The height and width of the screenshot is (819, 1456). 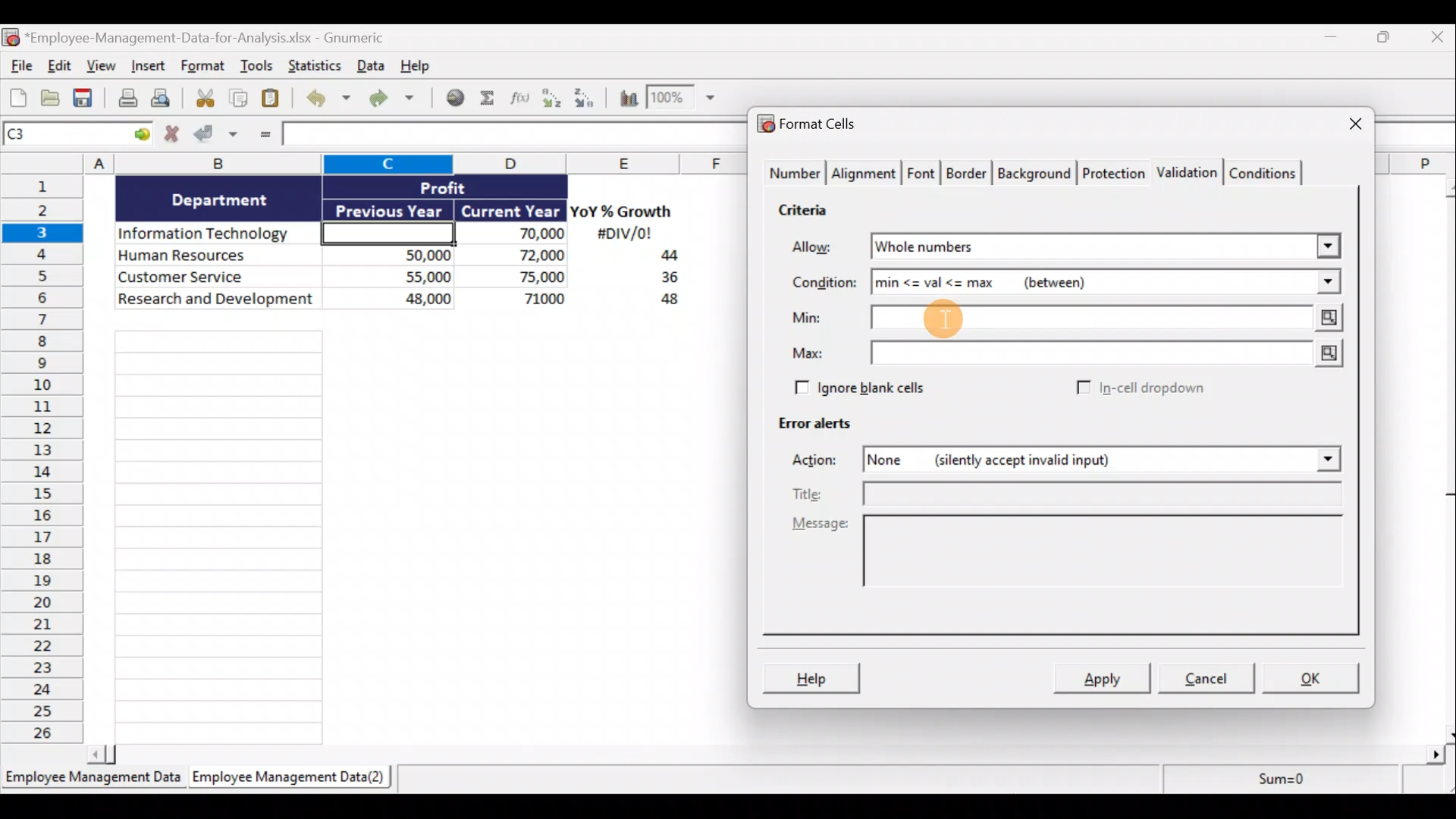 What do you see at coordinates (1212, 680) in the screenshot?
I see `Cancel` at bounding box center [1212, 680].